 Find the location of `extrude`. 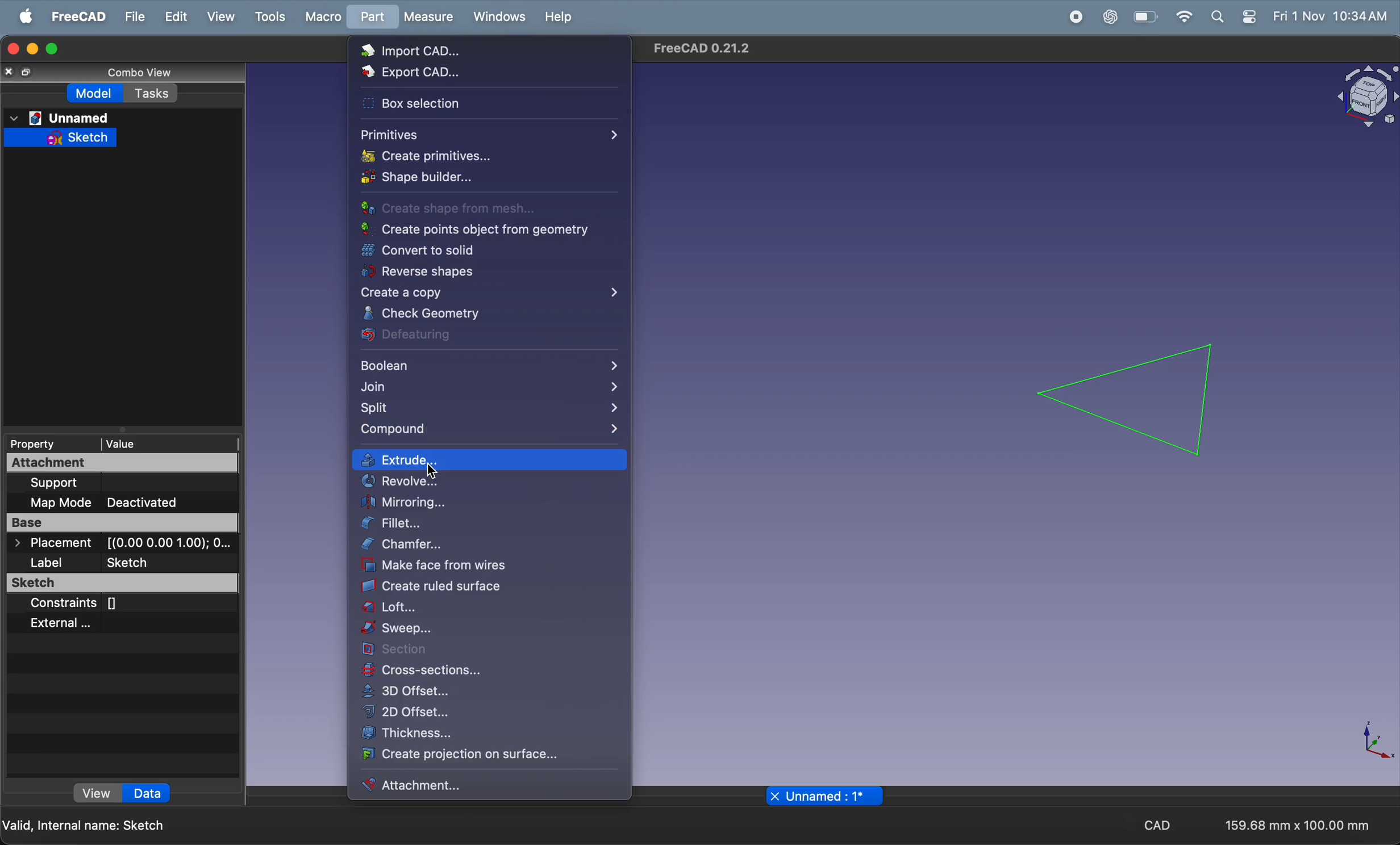

extrude is located at coordinates (491, 461).